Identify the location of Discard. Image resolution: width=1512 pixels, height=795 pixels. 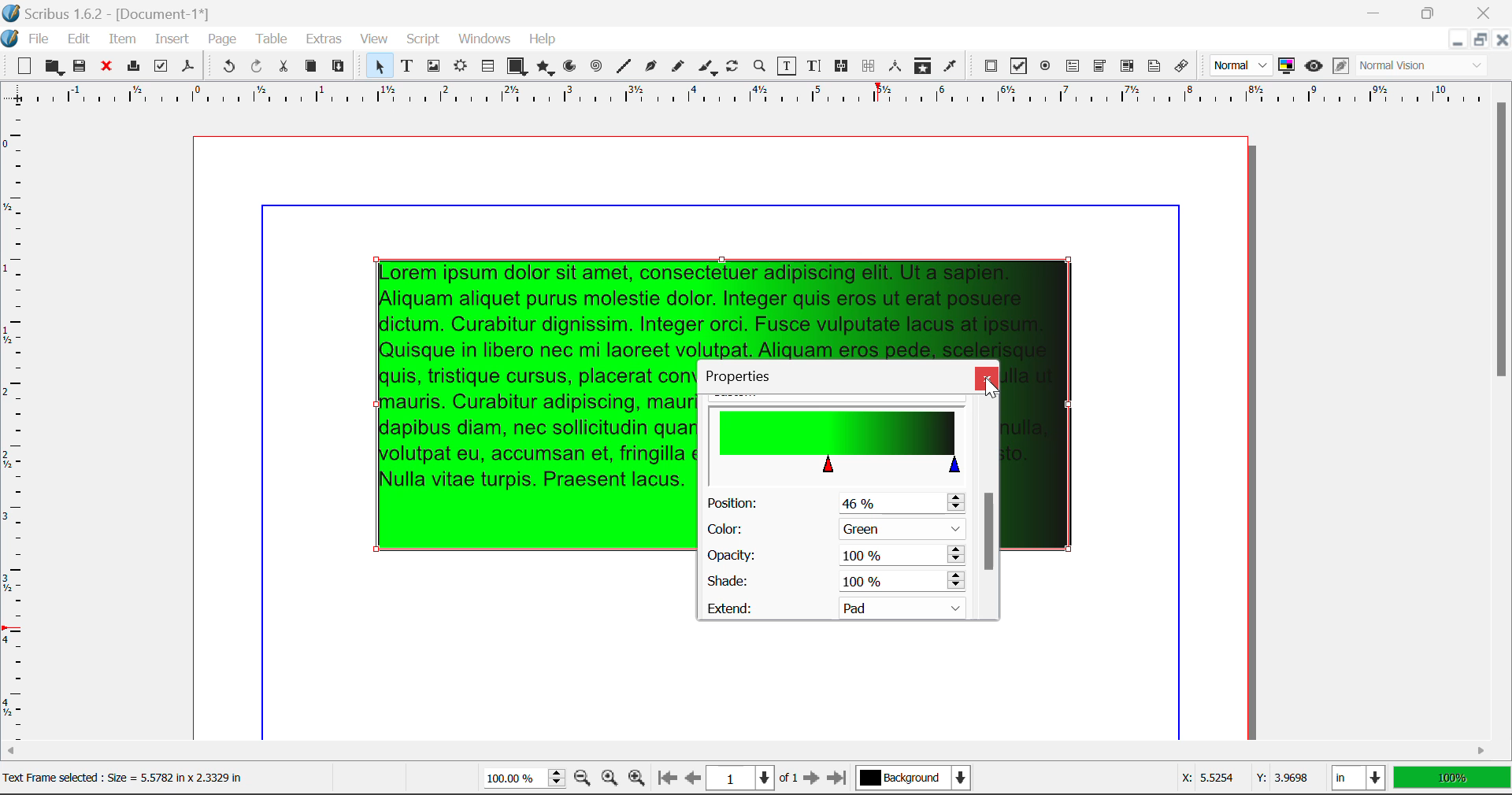
(106, 68).